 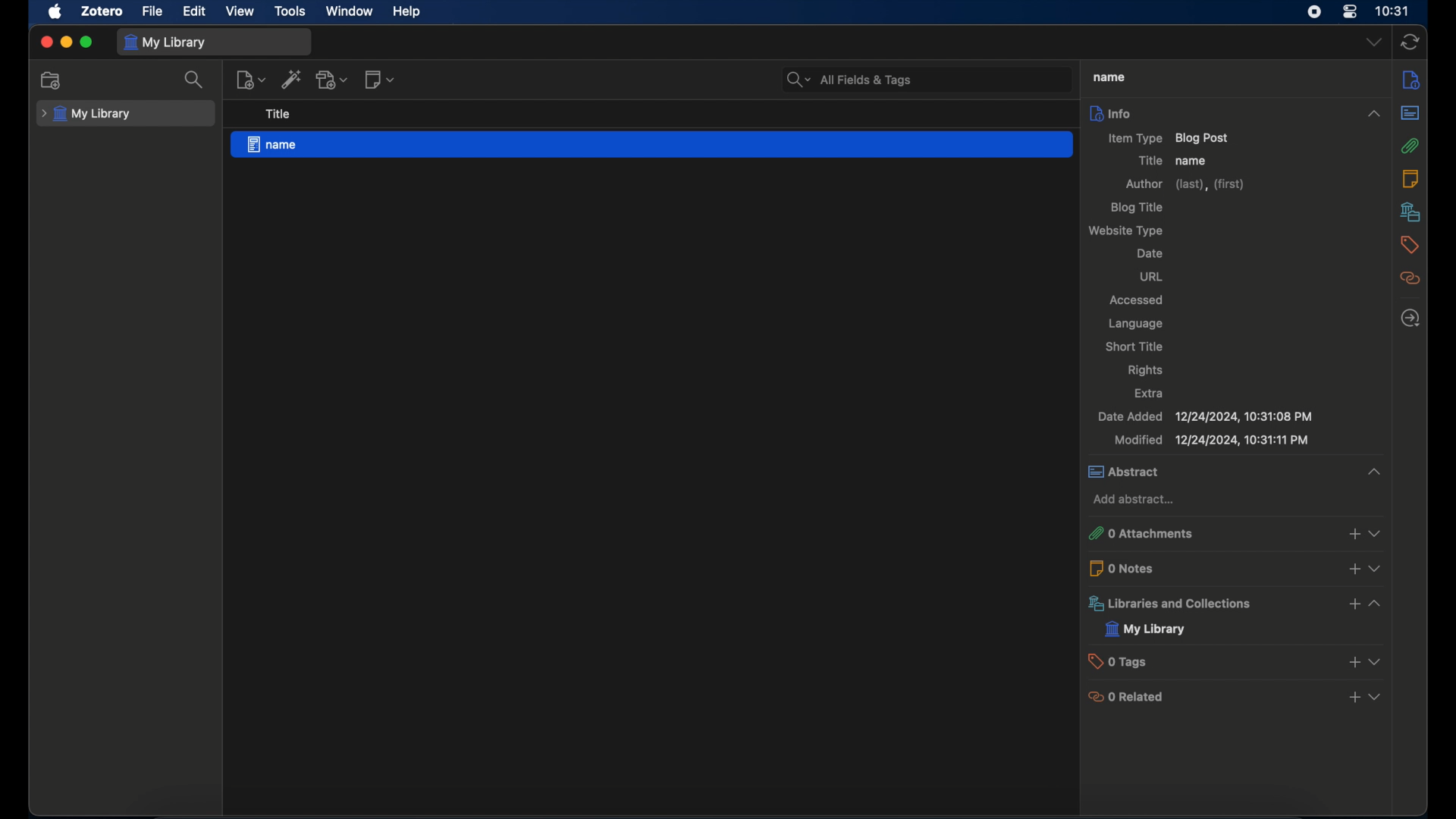 I want to click on libraries and collections, so click(x=1238, y=604).